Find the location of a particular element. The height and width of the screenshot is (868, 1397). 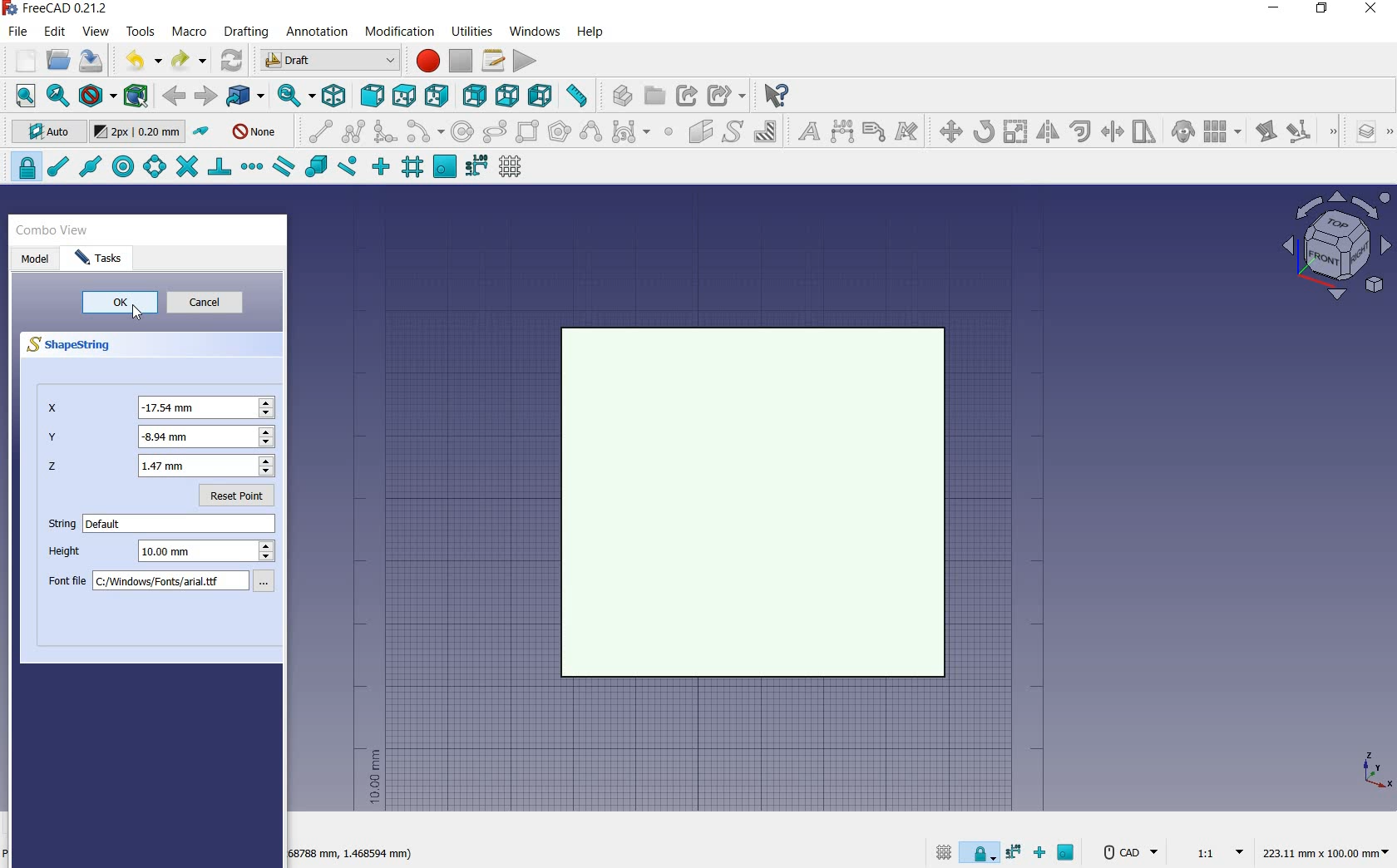

bottom is located at coordinates (509, 96).